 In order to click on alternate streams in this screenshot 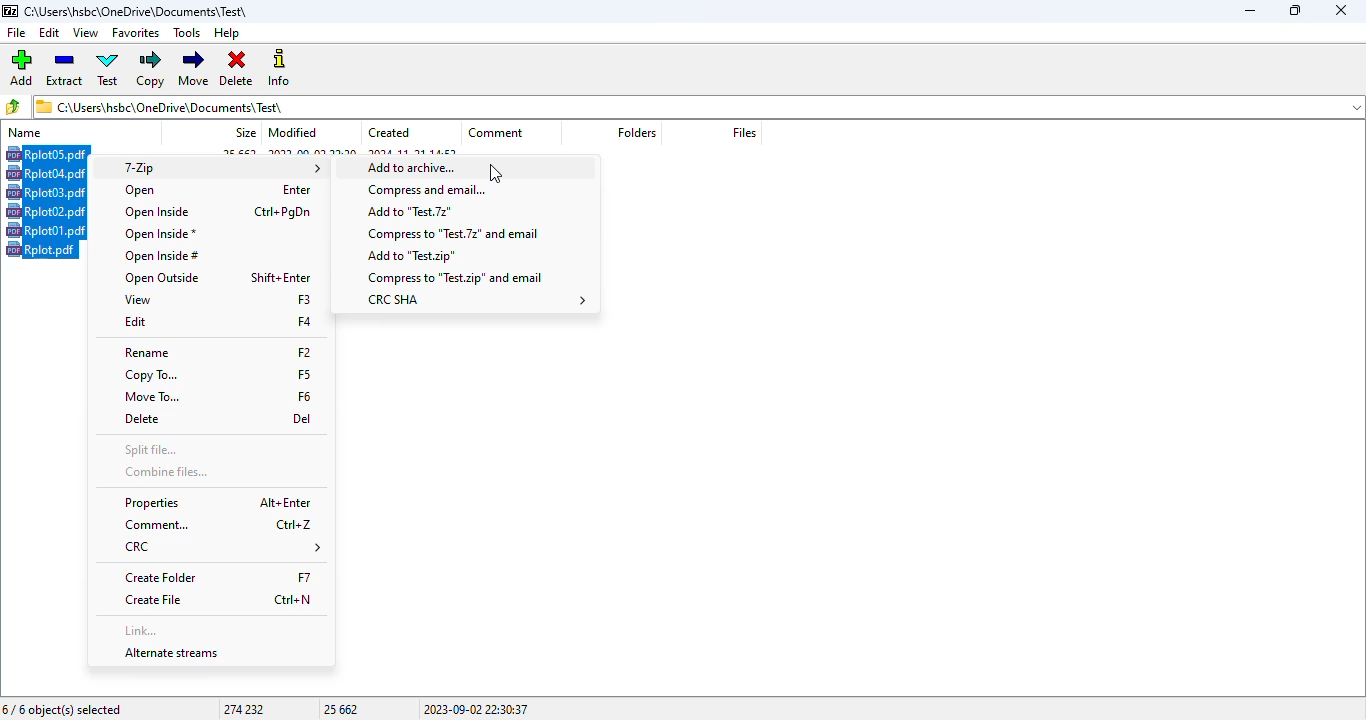, I will do `click(171, 652)`.